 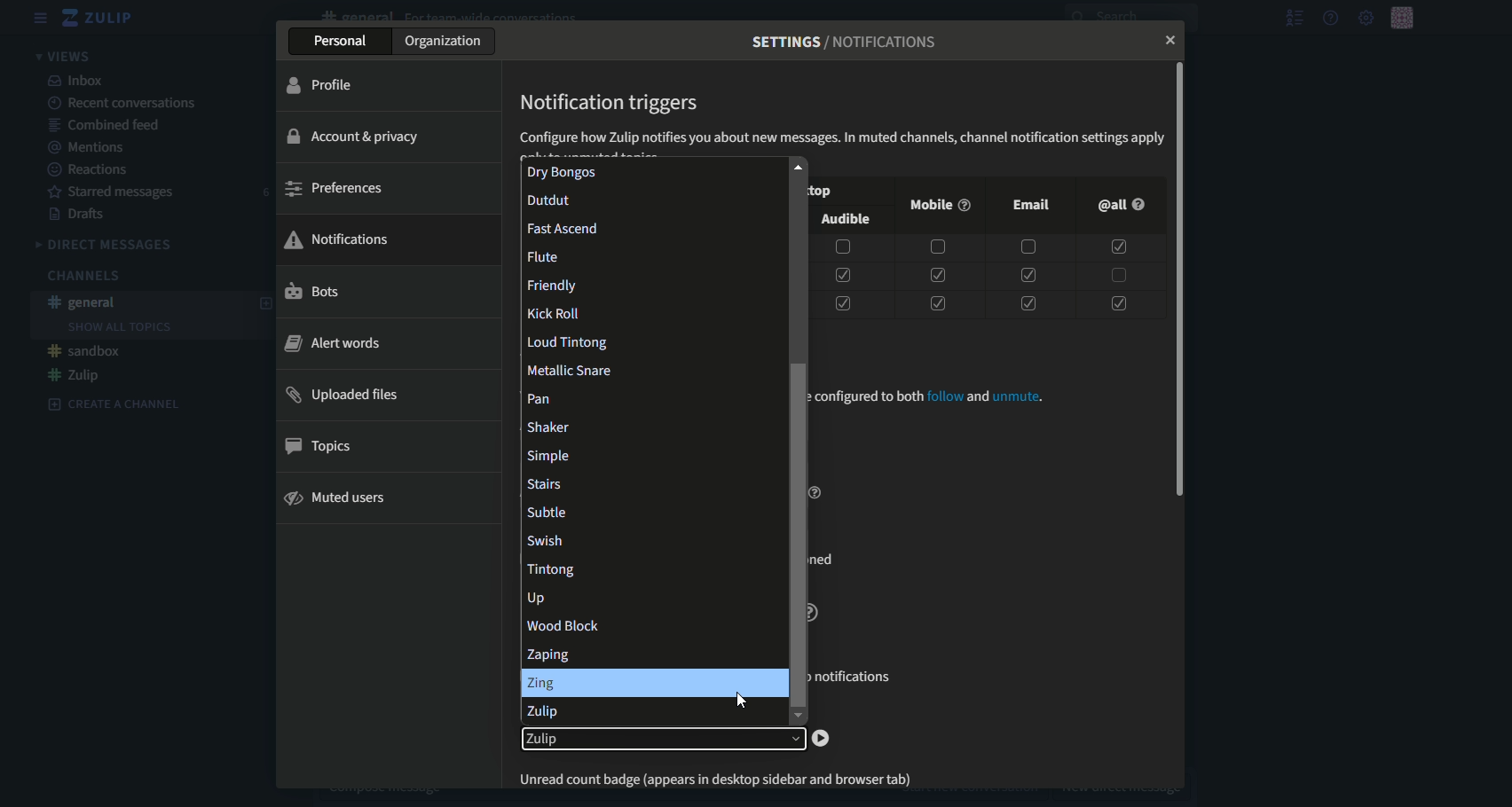 I want to click on text, so click(x=846, y=42).